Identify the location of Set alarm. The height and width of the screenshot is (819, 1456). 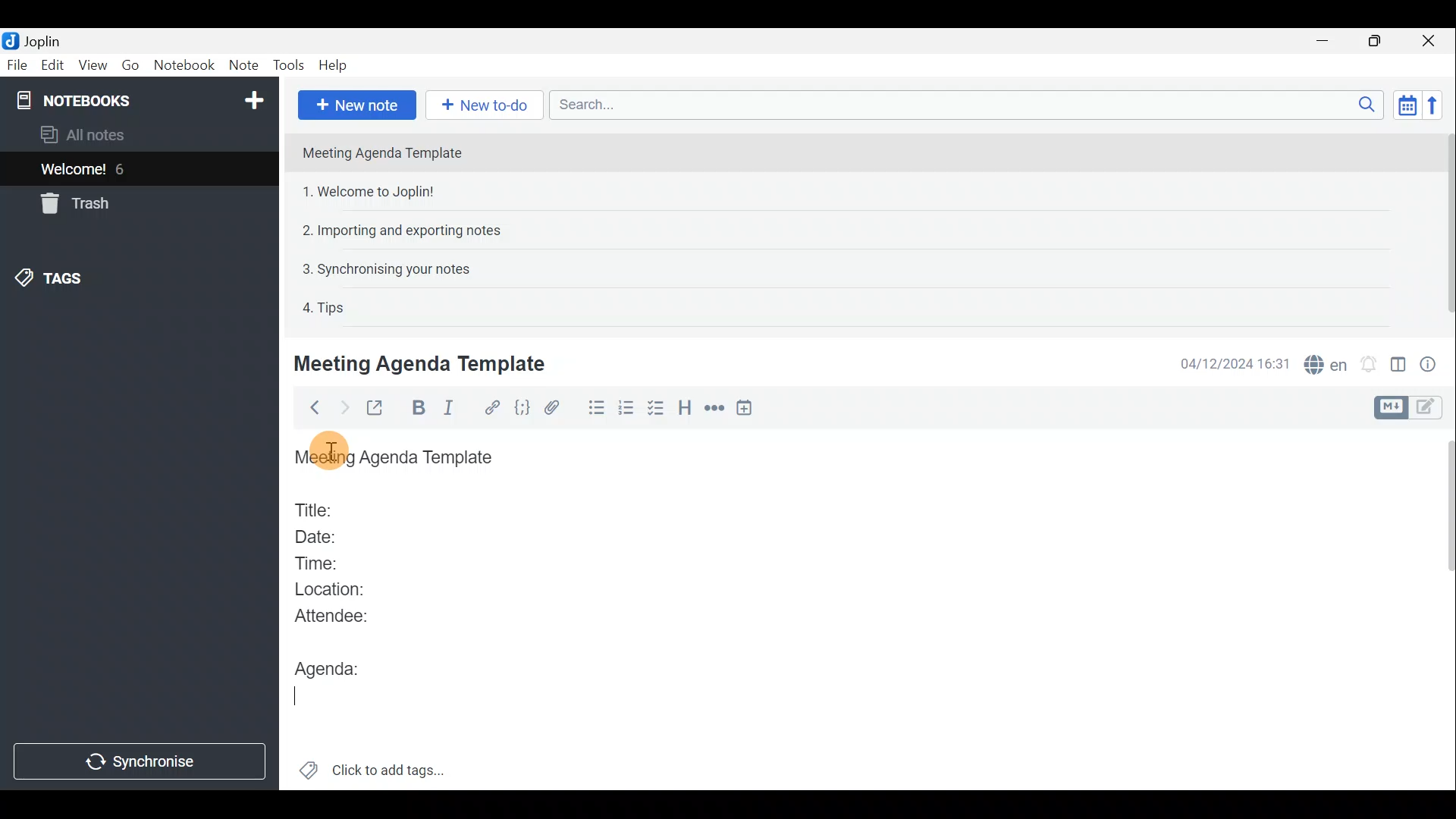
(1370, 364).